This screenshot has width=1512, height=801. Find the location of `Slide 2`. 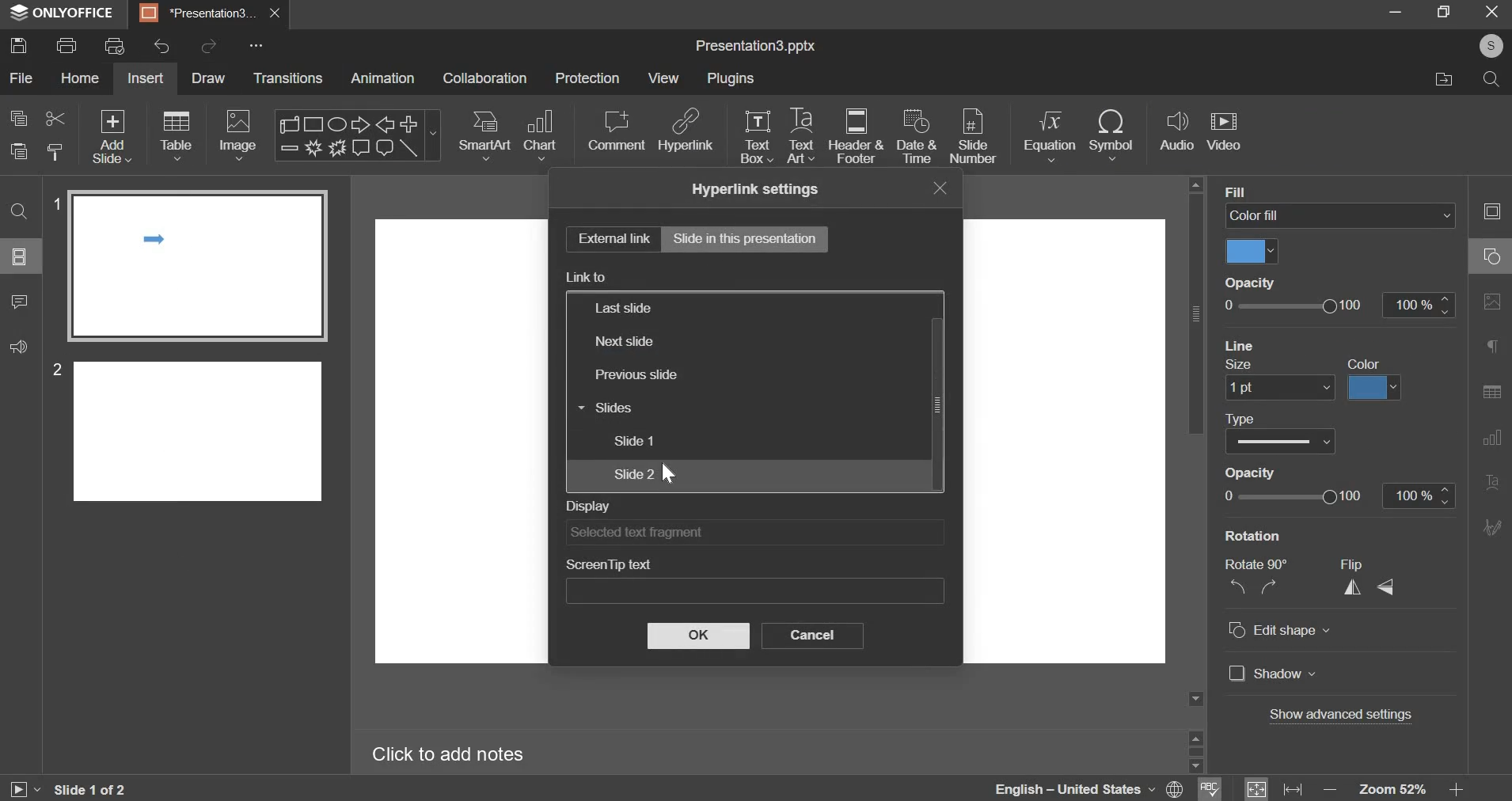

Slide 2 is located at coordinates (663, 474).